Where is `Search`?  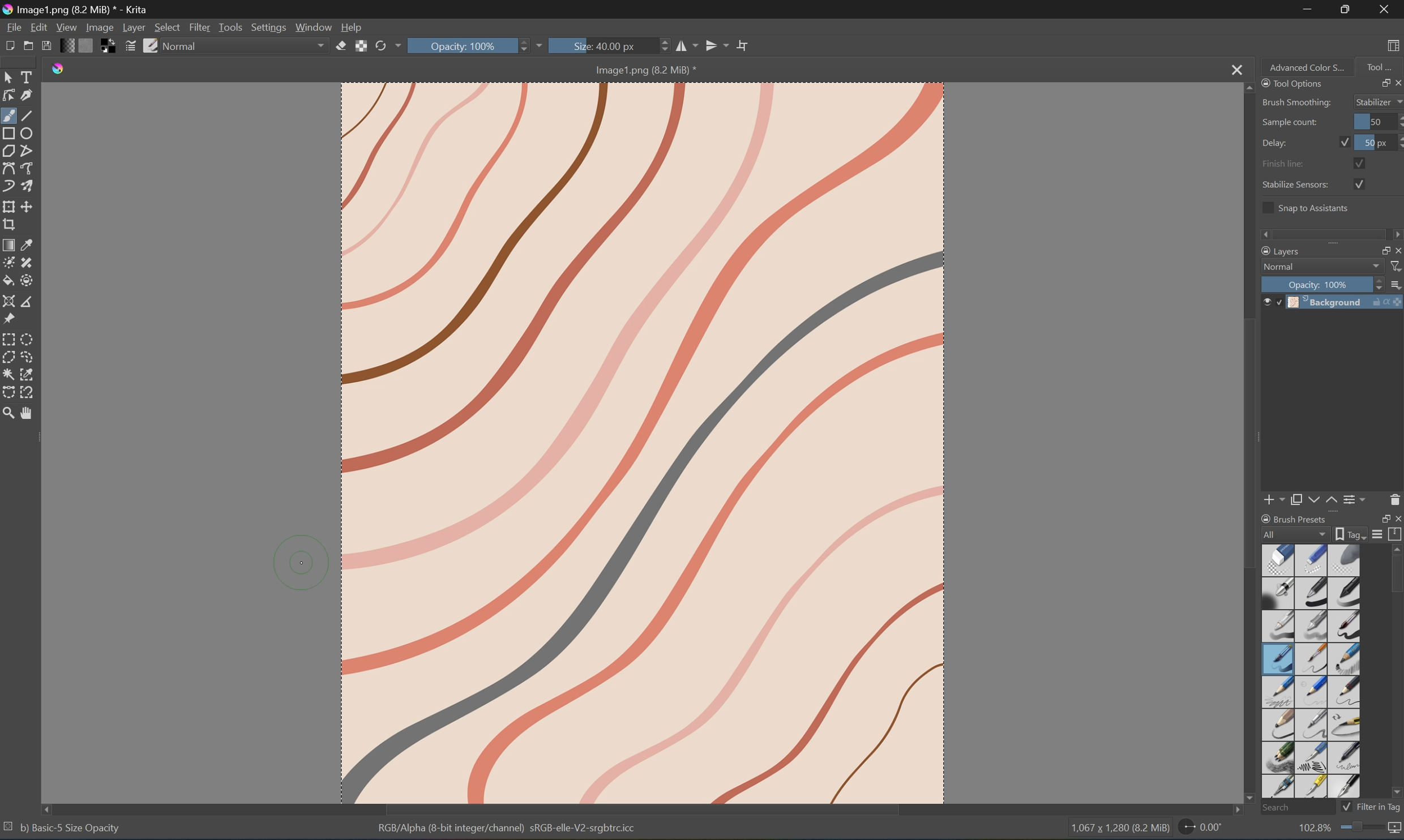 Search is located at coordinates (1294, 807).